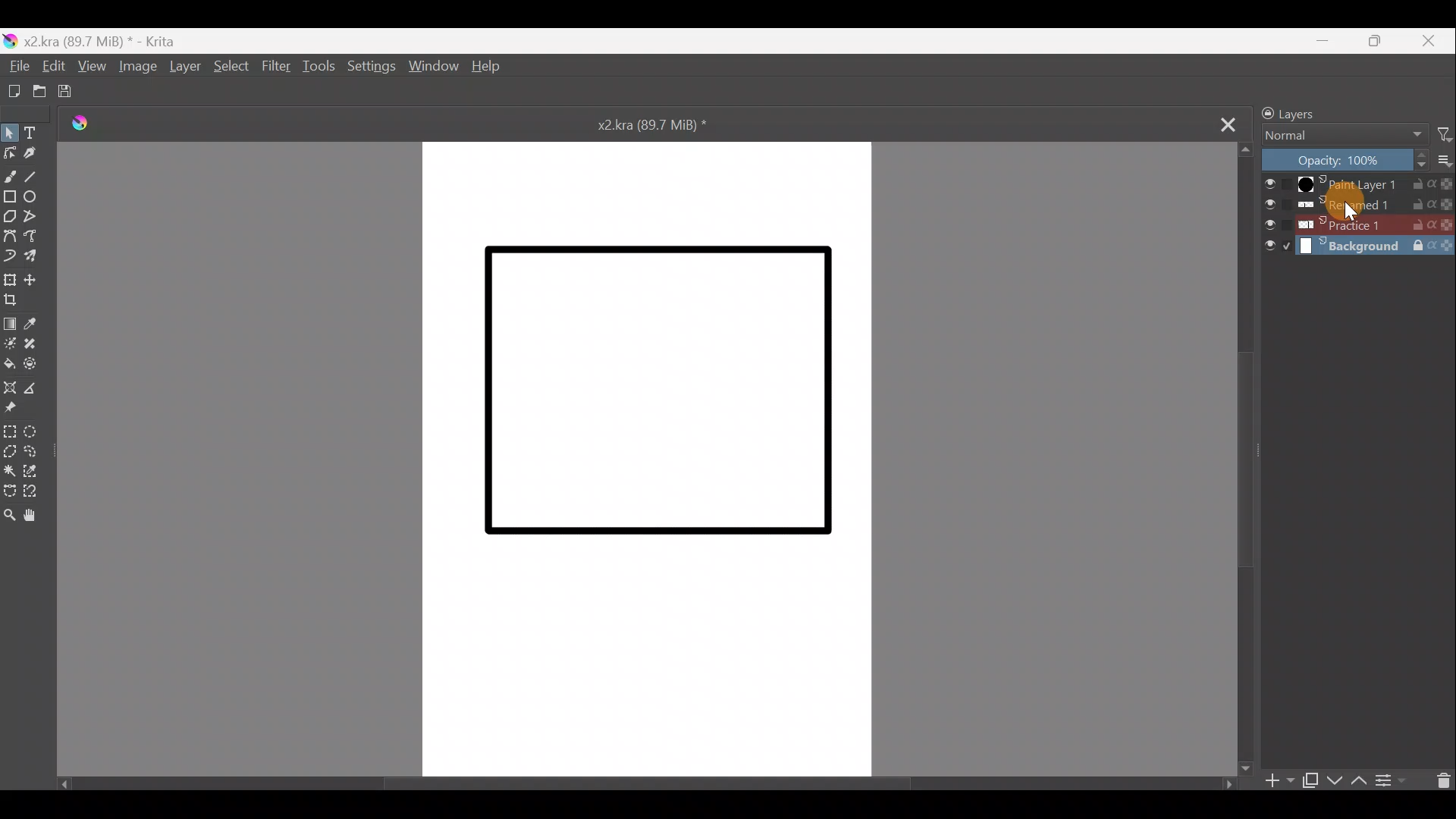 The width and height of the screenshot is (1456, 819). I want to click on View/change layer properties, so click(1391, 780).